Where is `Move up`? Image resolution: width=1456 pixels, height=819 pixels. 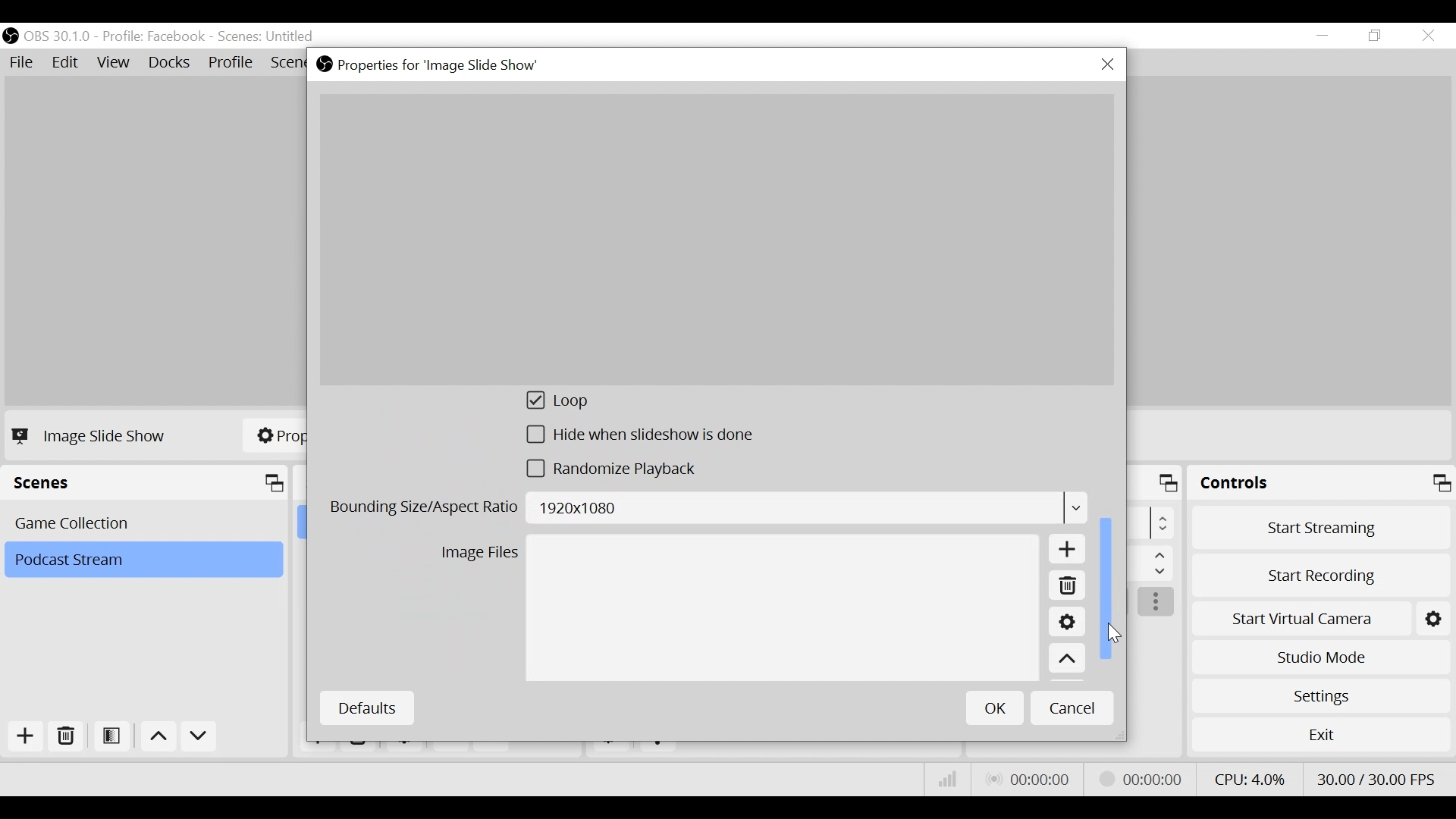
Move up is located at coordinates (161, 739).